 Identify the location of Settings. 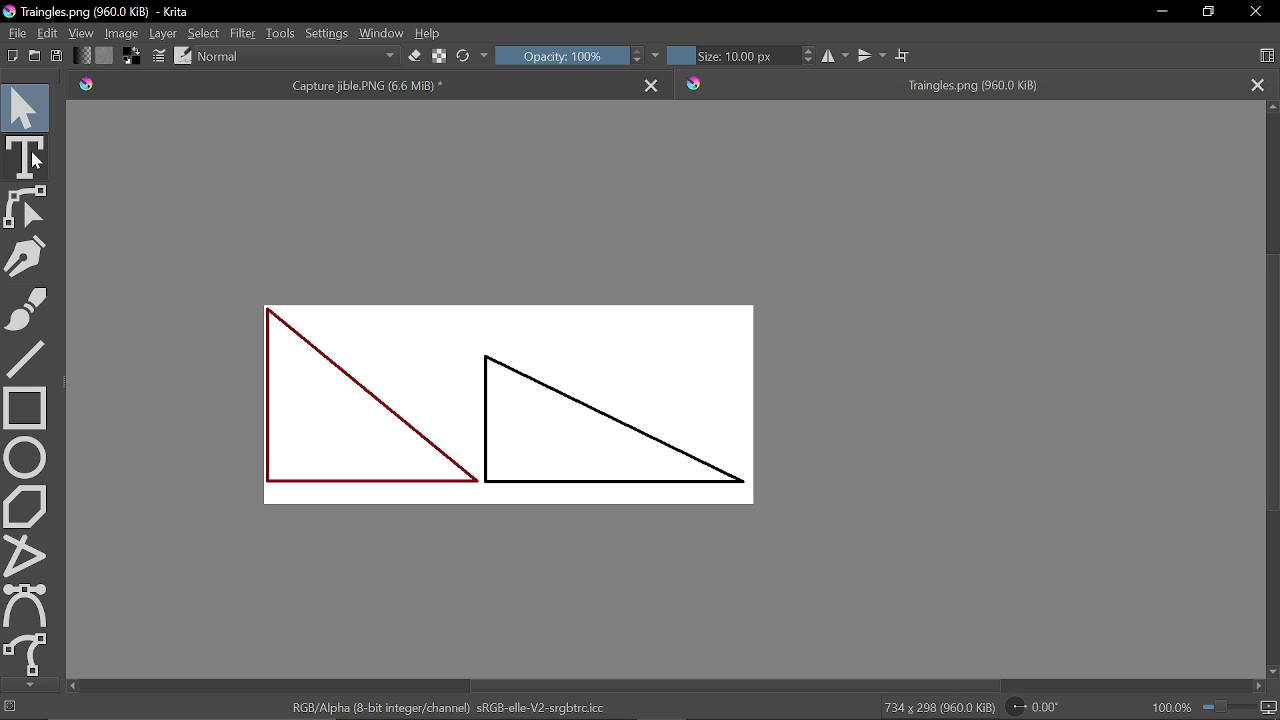
(326, 36).